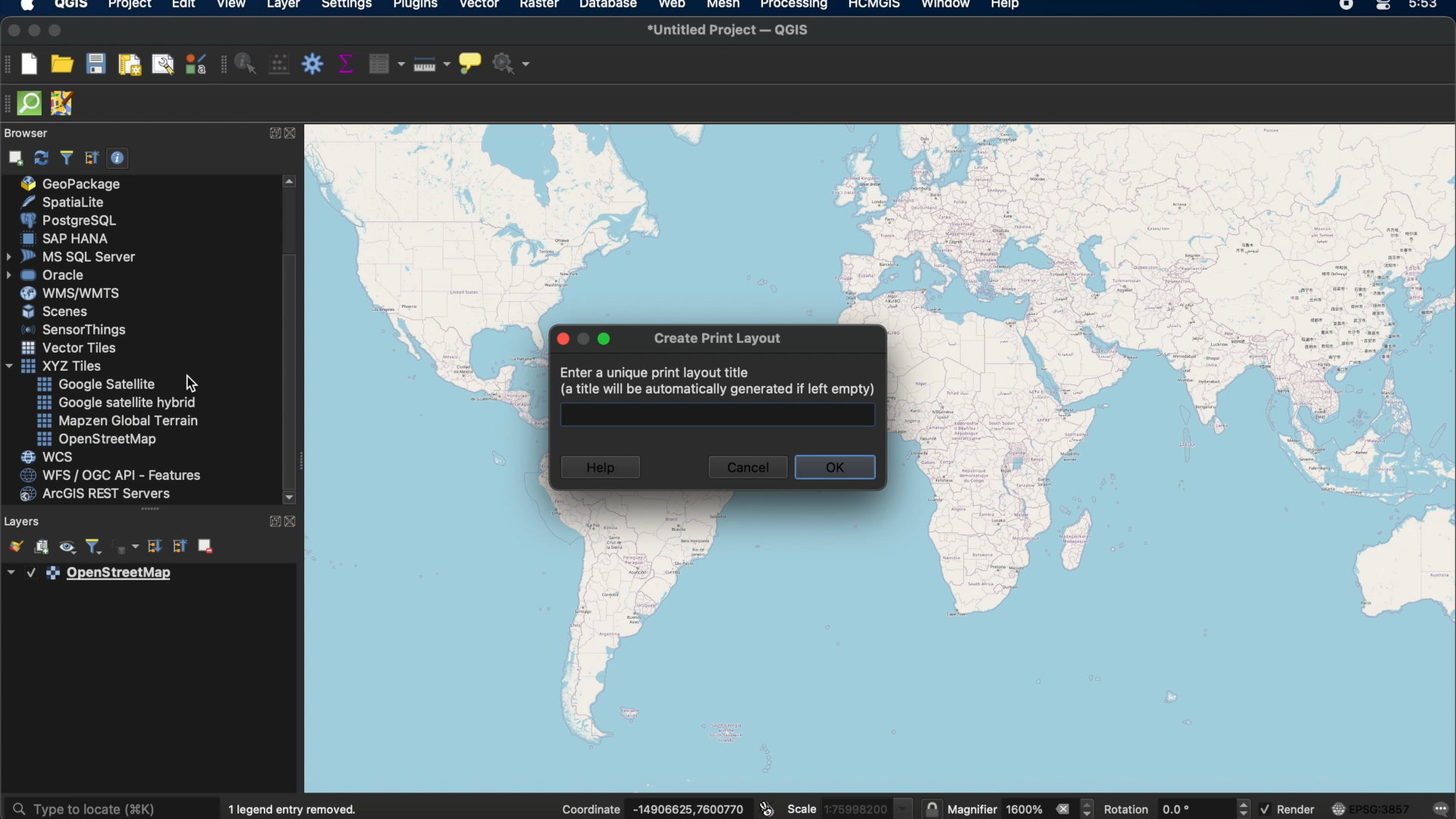  I want to click on show map tips, so click(471, 64).